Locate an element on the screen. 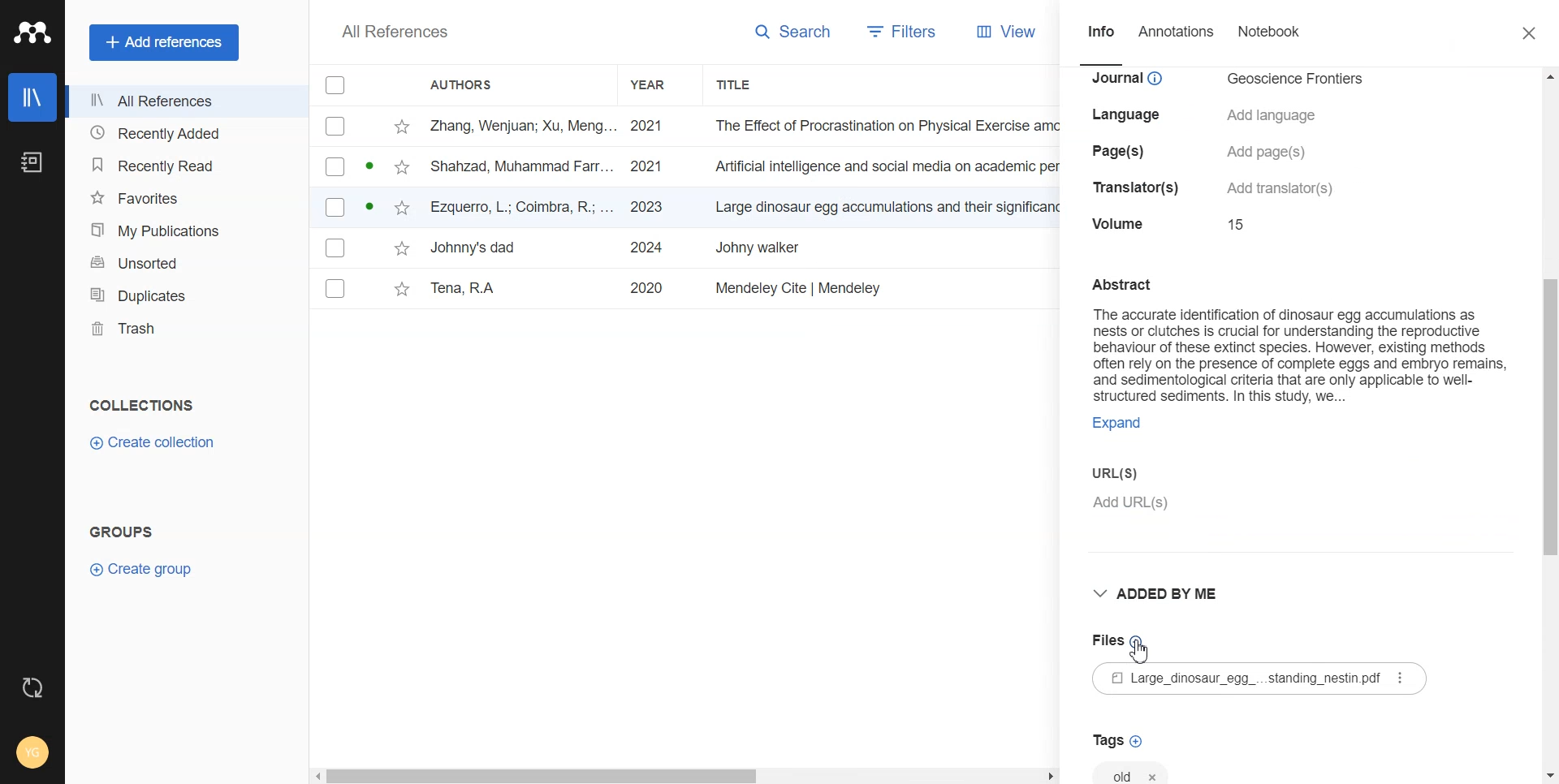 This screenshot has width=1559, height=784. Annotations is located at coordinates (1178, 33).